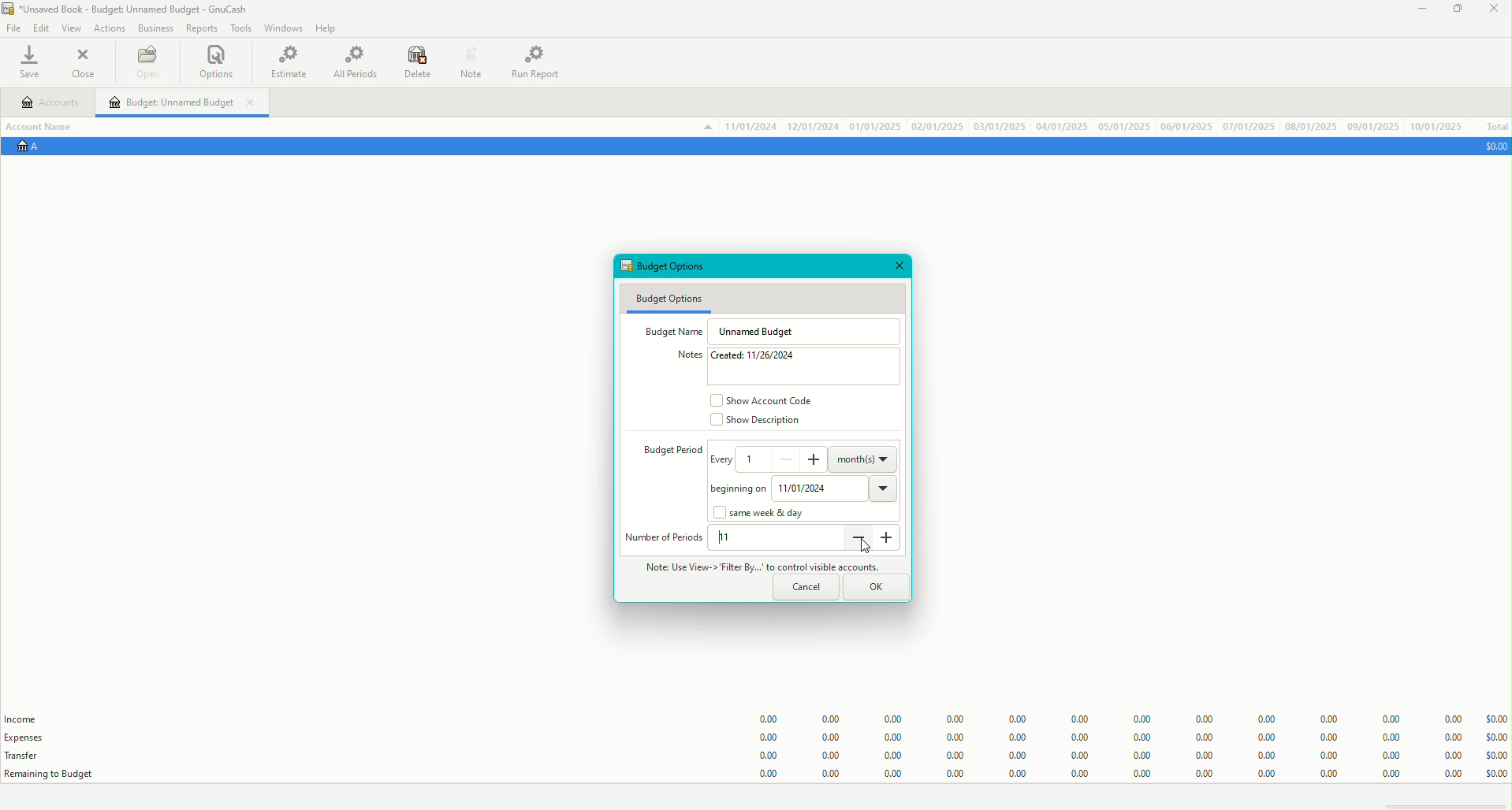 The image size is (1512, 810). I want to click on Unnamed Budget, so click(762, 331).